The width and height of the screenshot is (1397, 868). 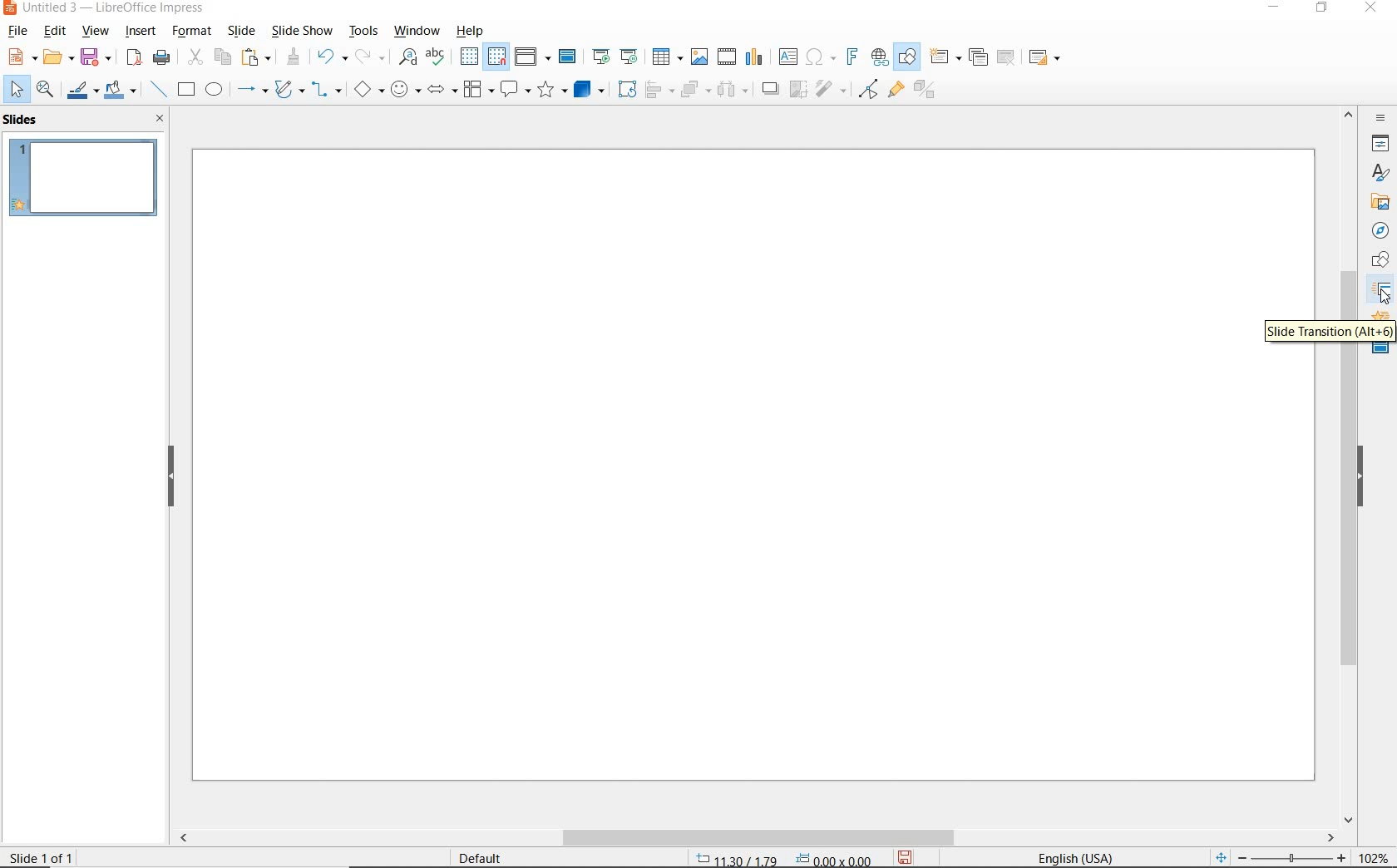 I want to click on ZOOM OUT OR ZOOM IN, so click(x=1278, y=855).